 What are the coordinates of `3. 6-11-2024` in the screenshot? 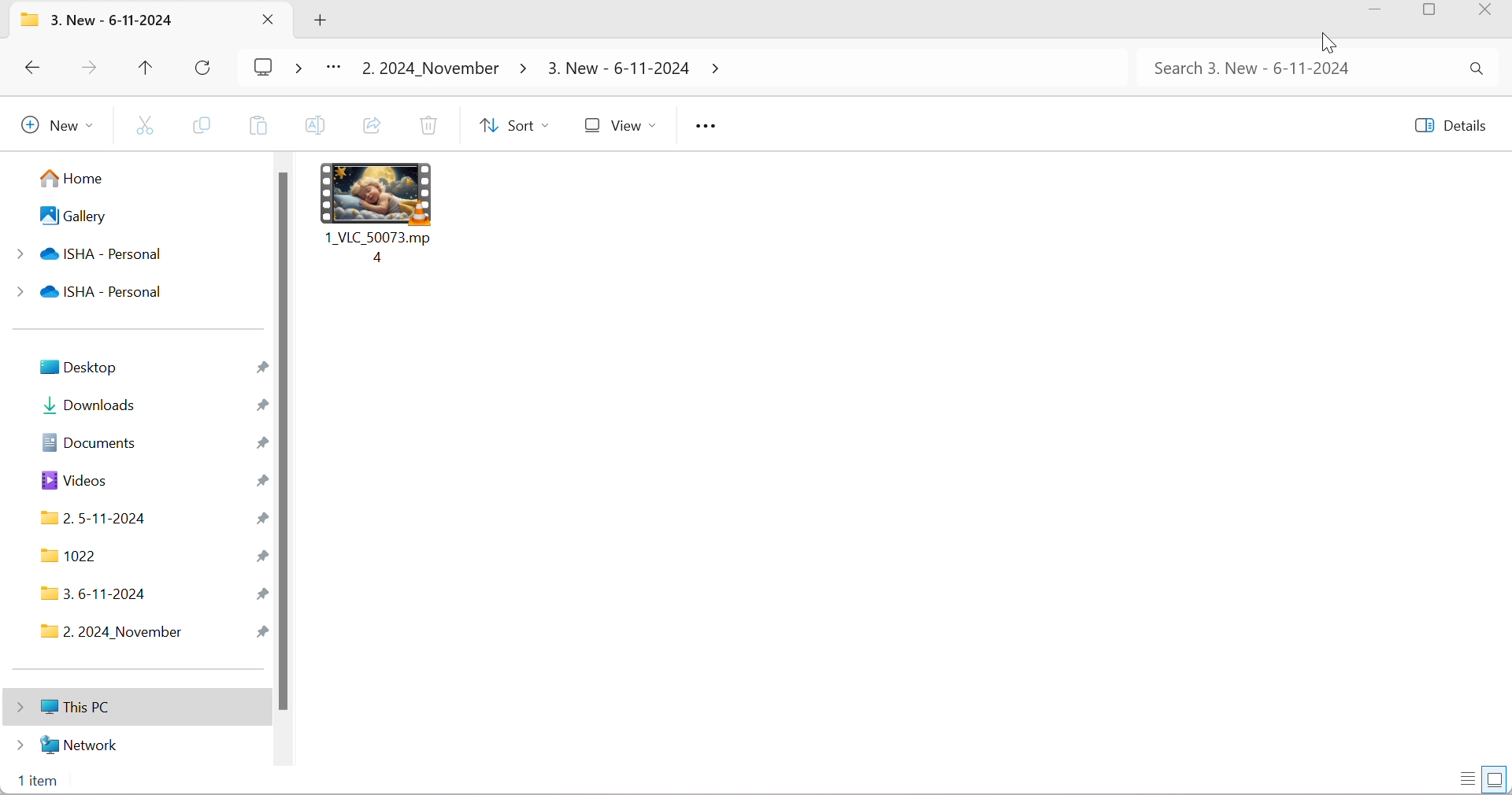 It's located at (94, 596).